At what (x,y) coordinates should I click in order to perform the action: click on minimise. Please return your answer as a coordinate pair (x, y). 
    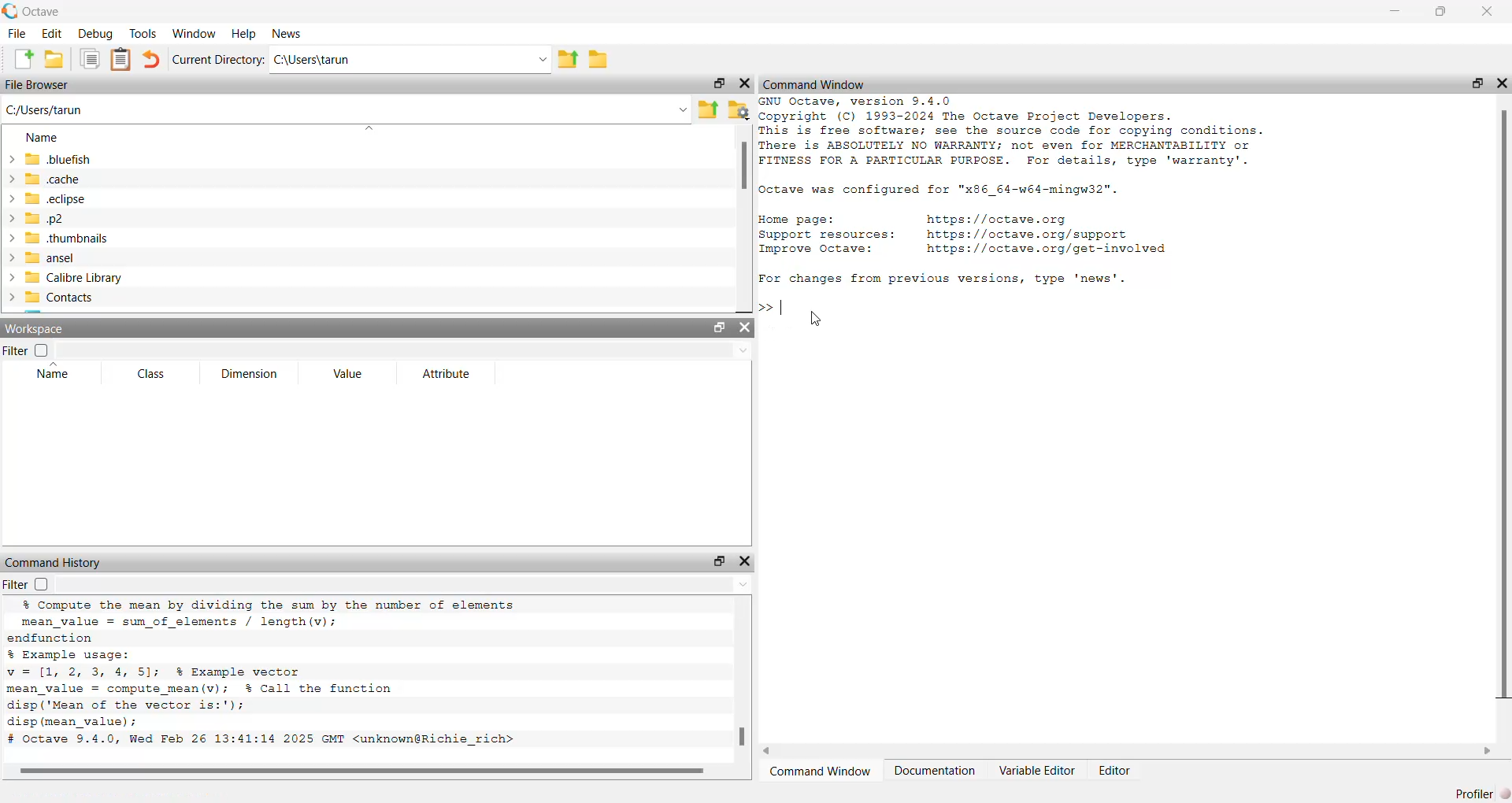
    Looking at the image, I should click on (1396, 9).